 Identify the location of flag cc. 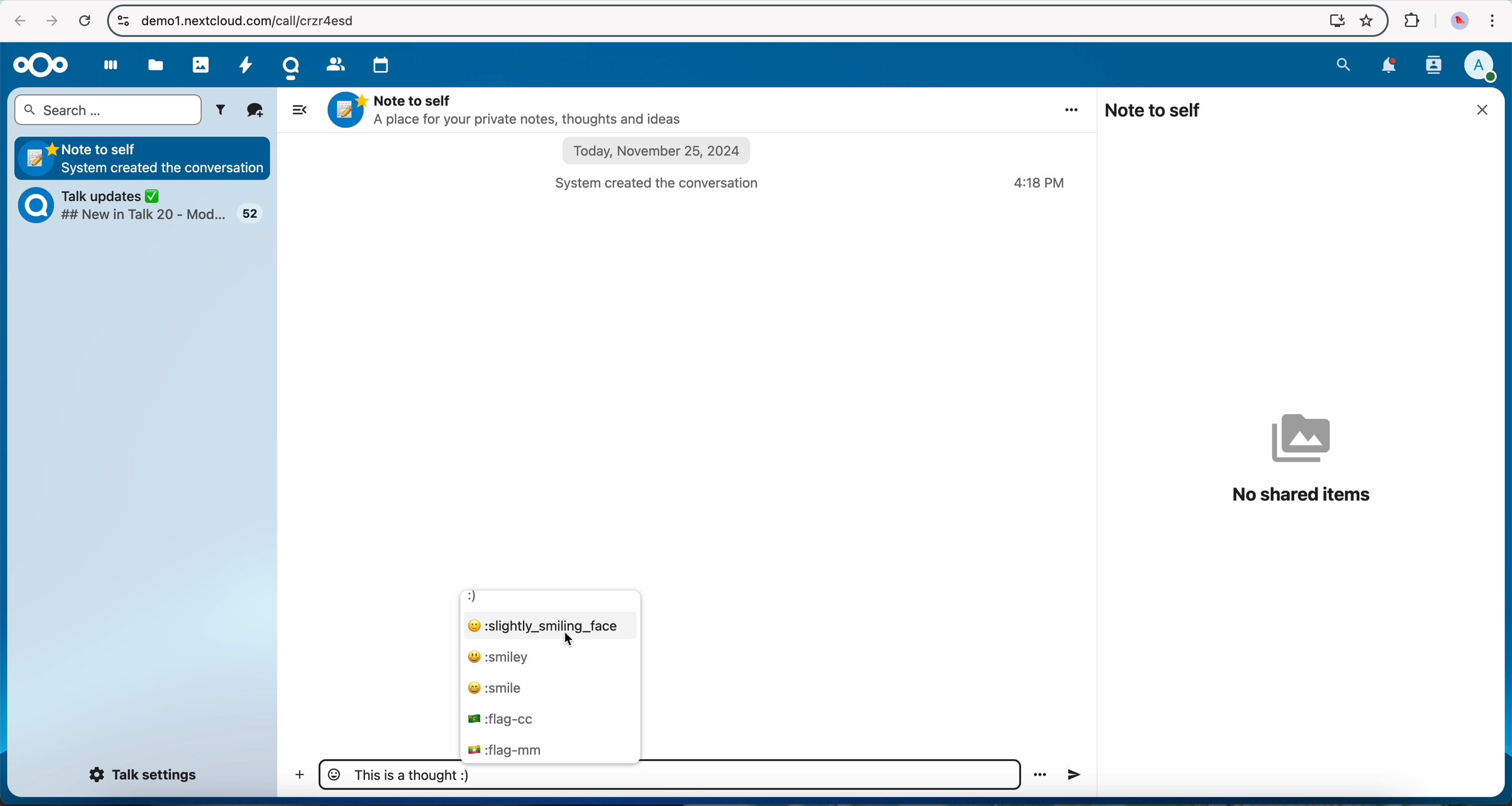
(508, 720).